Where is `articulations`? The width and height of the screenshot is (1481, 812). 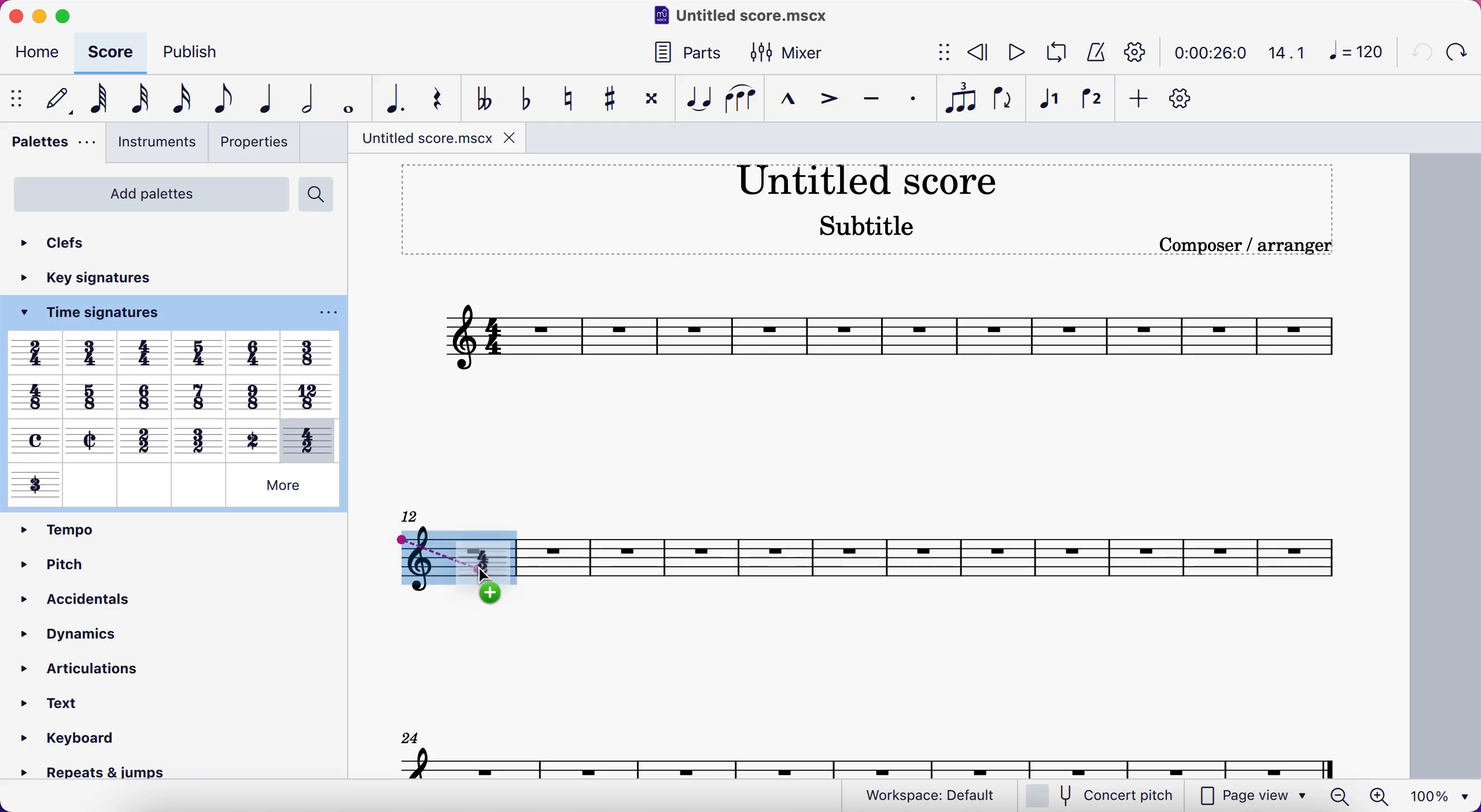 articulations is located at coordinates (98, 668).